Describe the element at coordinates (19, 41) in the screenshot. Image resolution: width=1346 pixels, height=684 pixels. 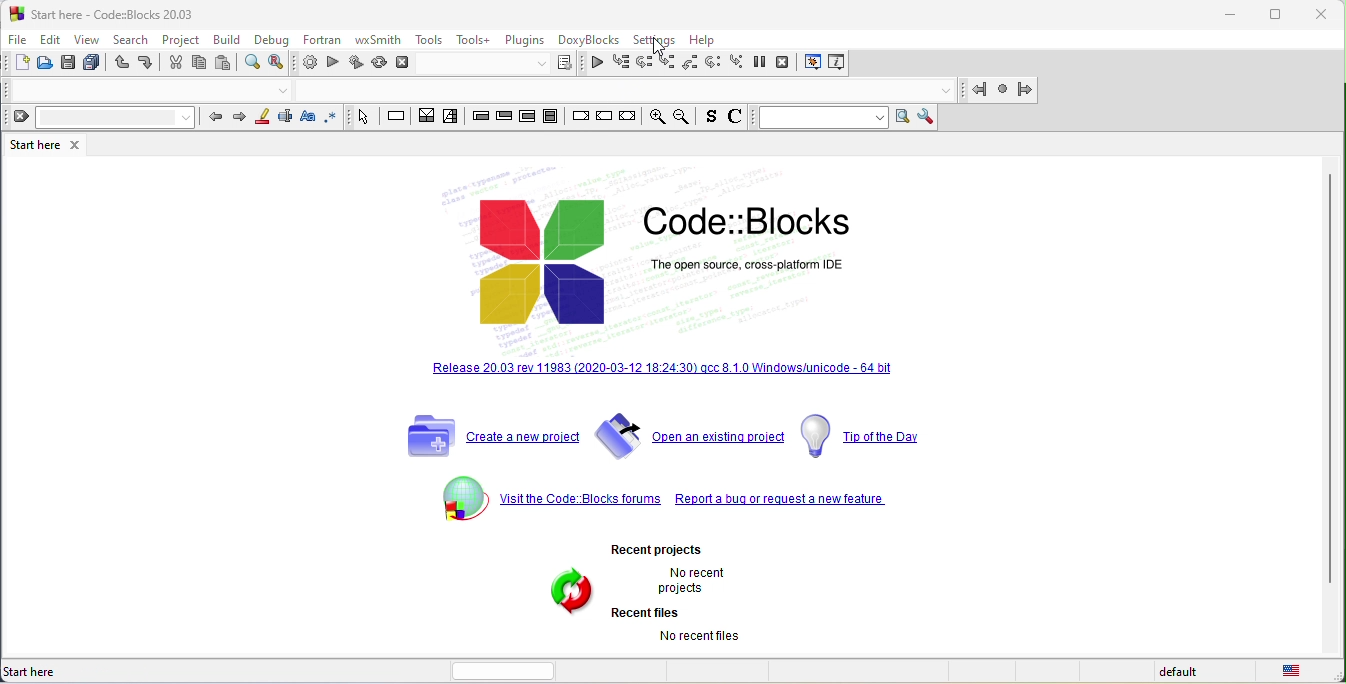
I see `file` at that location.